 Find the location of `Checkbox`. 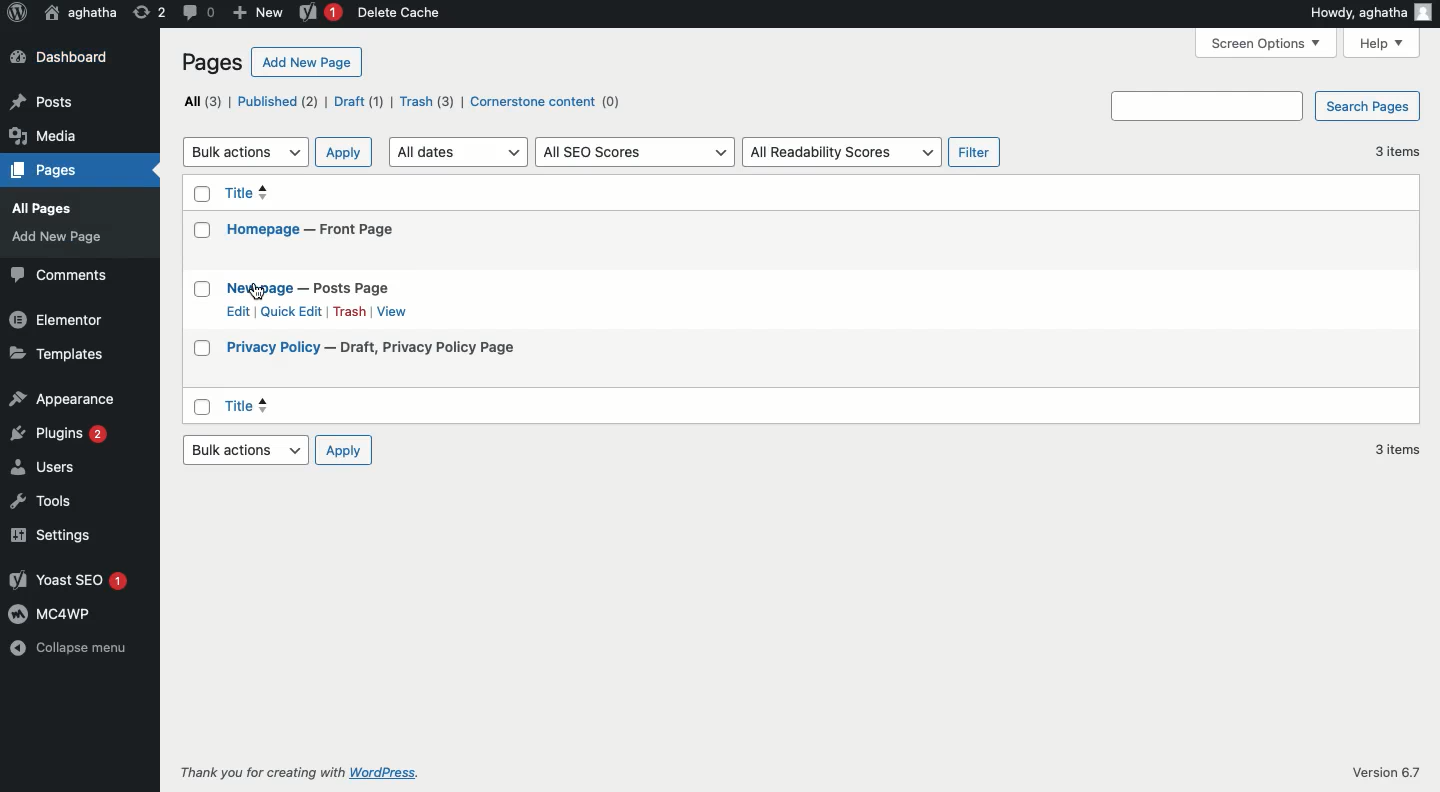

Checkbox is located at coordinates (199, 290).